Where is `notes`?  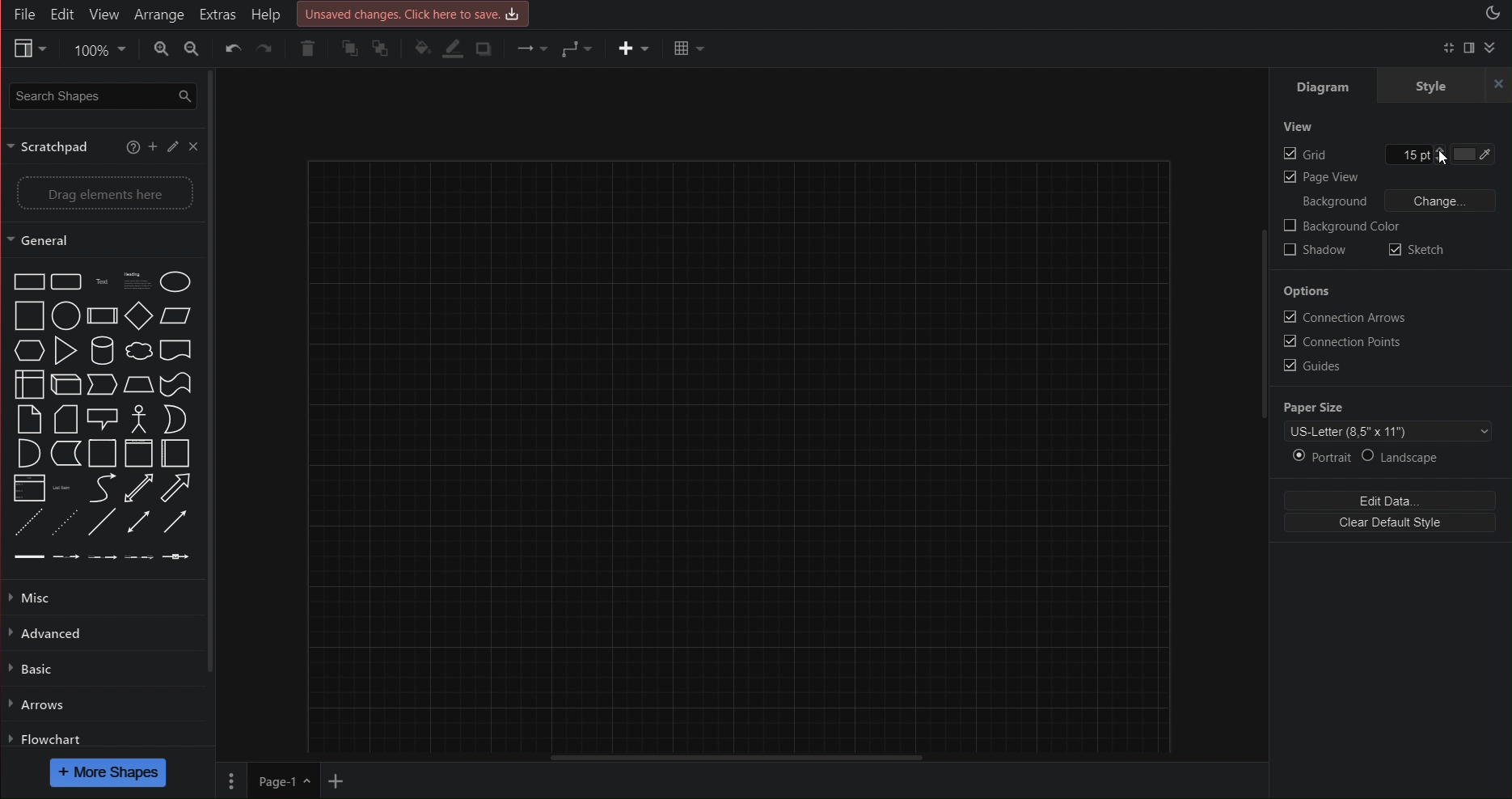
notes is located at coordinates (135, 276).